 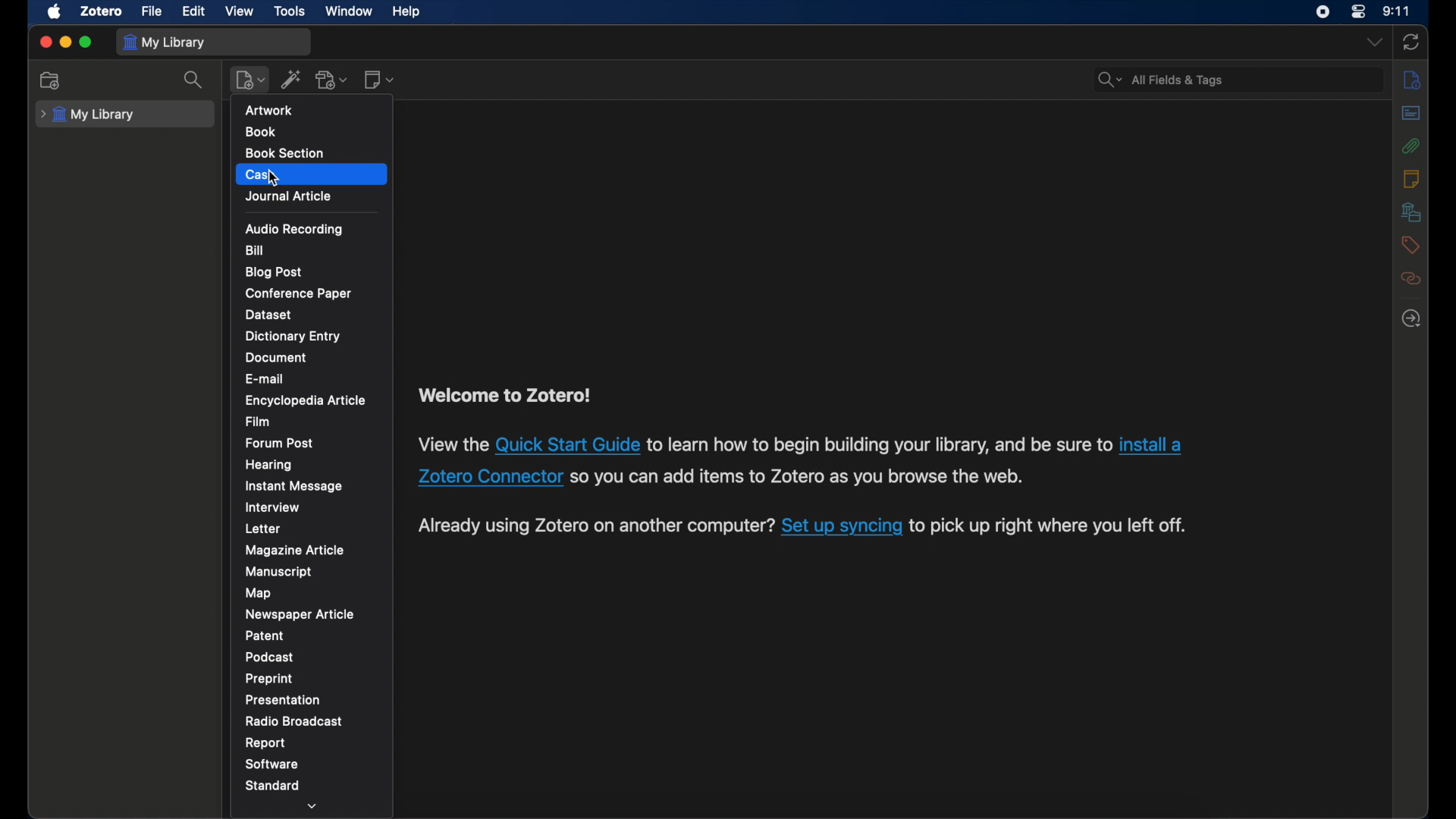 What do you see at coordinates (295, 336) in the screenshot?
I see `dictionary entry` at bounding box center [295, 336].